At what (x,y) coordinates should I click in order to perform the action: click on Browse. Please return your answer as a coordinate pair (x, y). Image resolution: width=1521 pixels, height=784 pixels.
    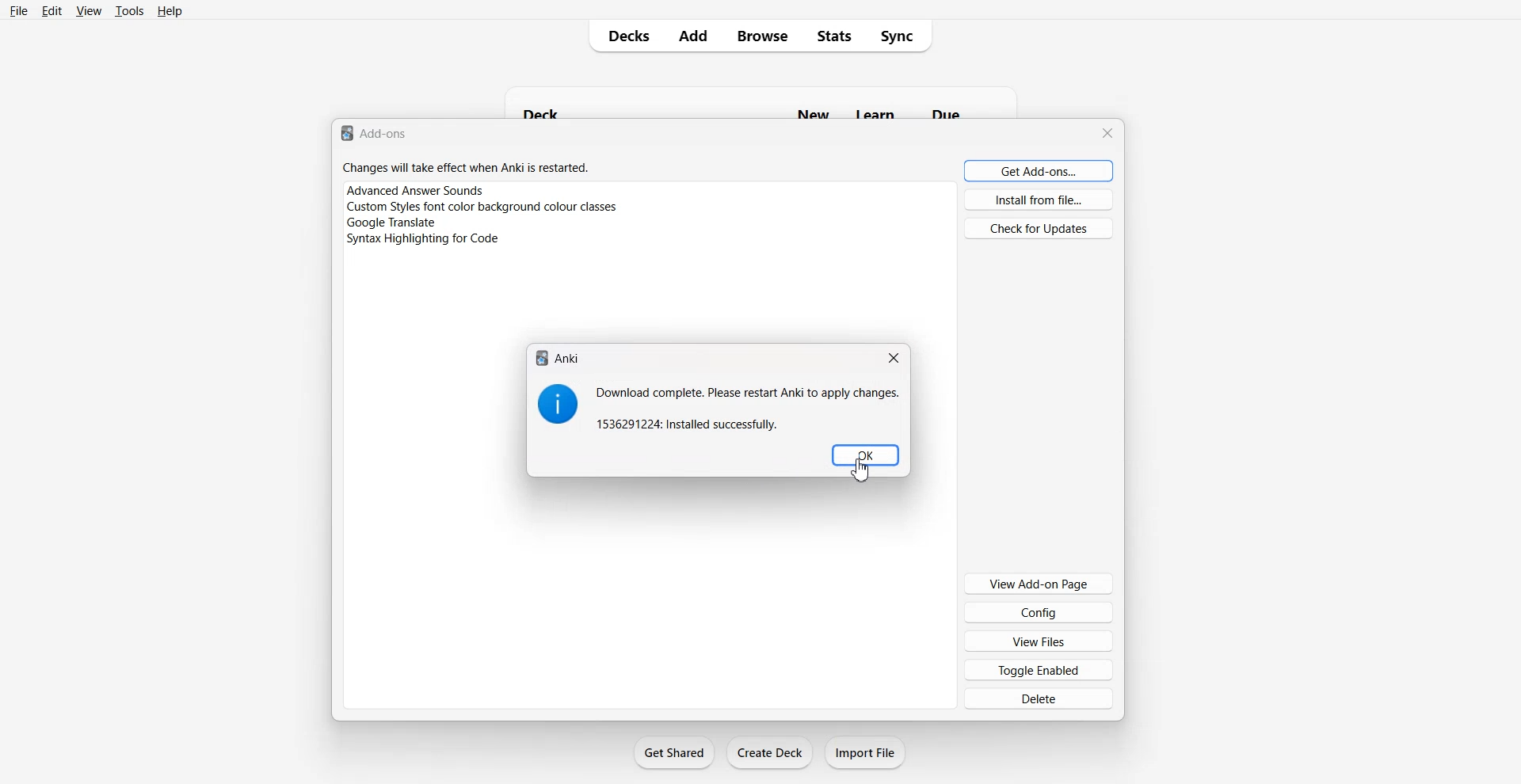
    Looking at the image, I should click on (763, 36).